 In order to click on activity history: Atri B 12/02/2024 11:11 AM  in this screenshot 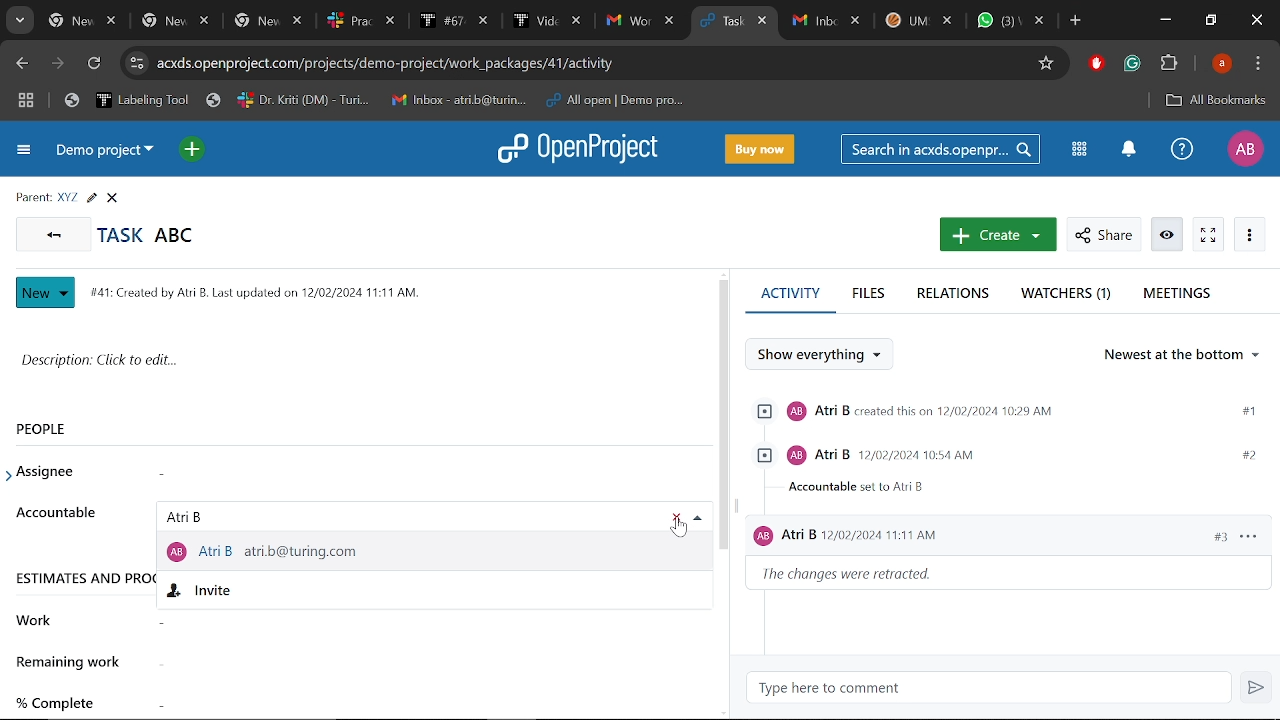, I will do `click(1010, 540)`.